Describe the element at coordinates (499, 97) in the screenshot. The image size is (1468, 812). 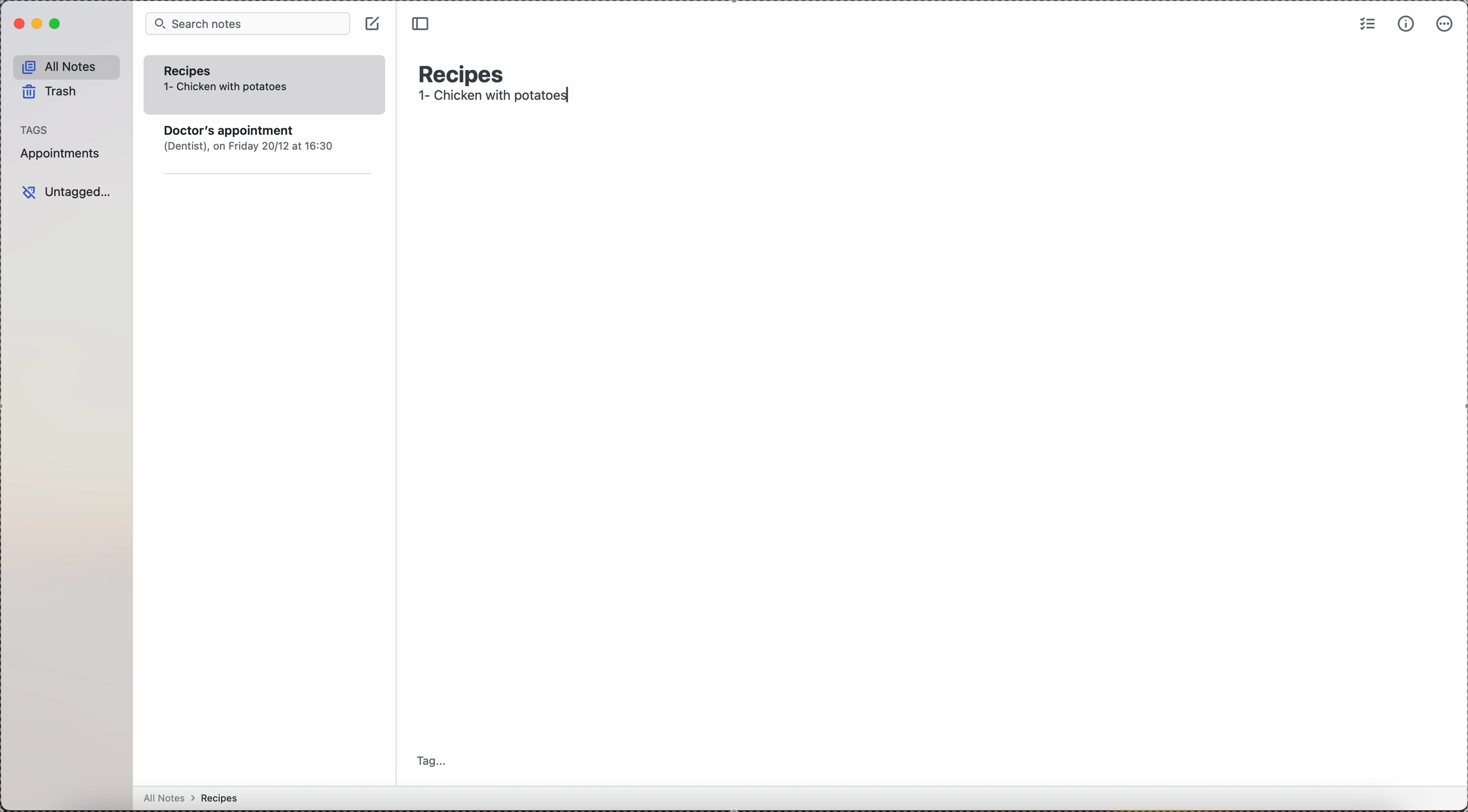
I see `1- Chicken with potatoes` at that location.